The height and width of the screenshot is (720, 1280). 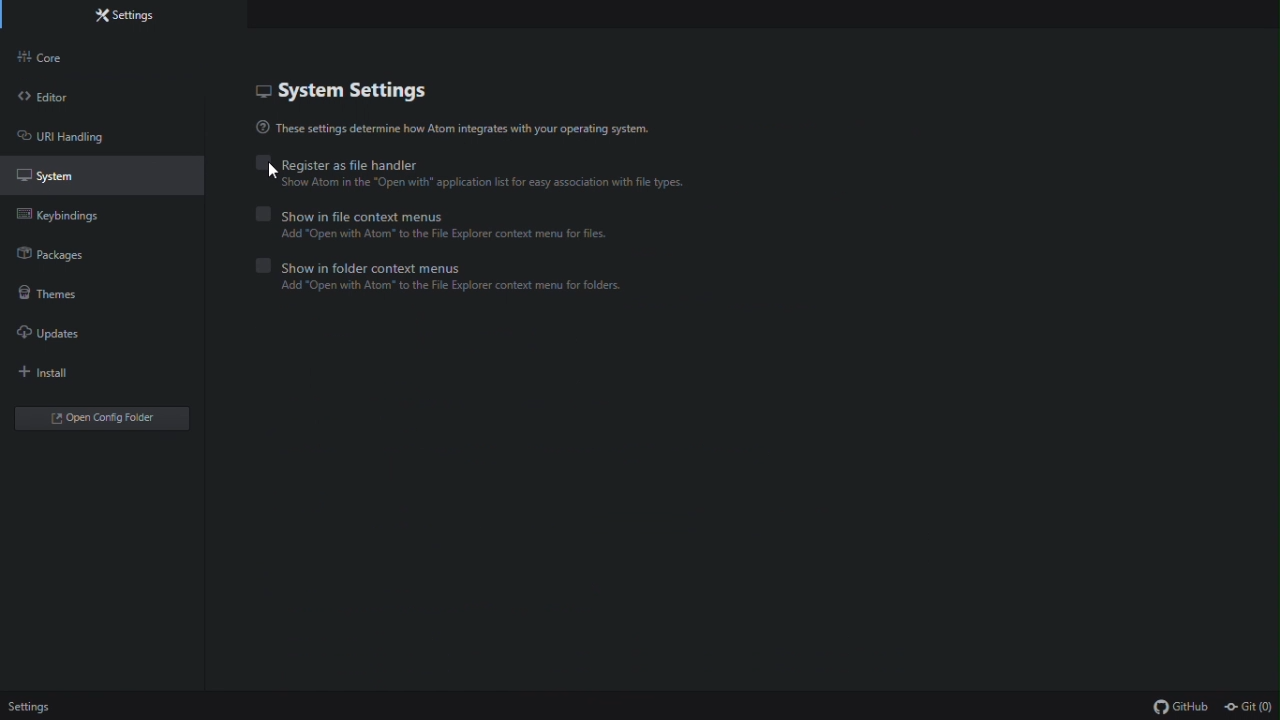 What do you see at coordinates (1250, 707) in the screenshot?
I see `git ` at bounding box center [1250, 707].